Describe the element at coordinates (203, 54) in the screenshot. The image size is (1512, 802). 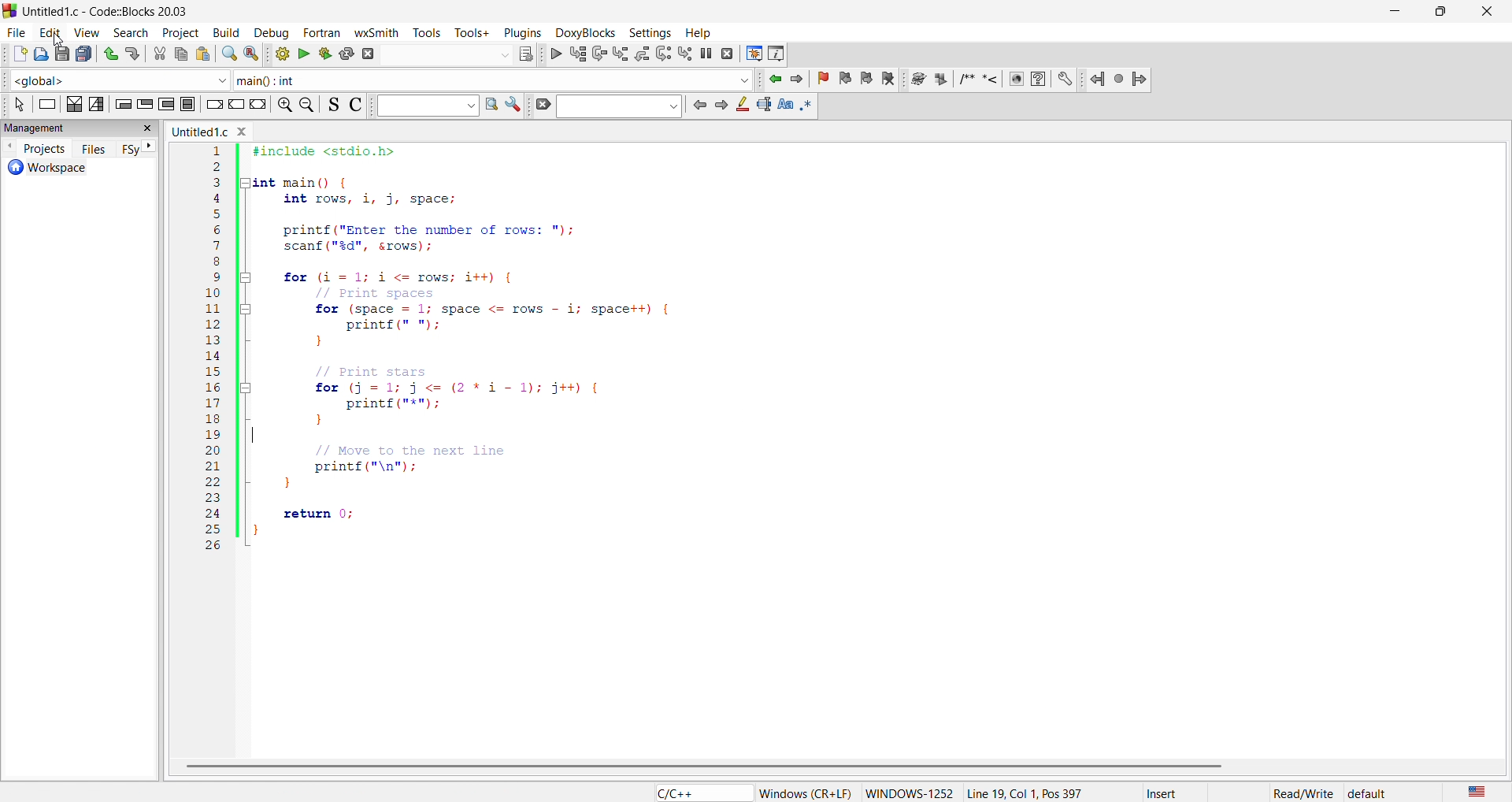
I see `paste` at that location.